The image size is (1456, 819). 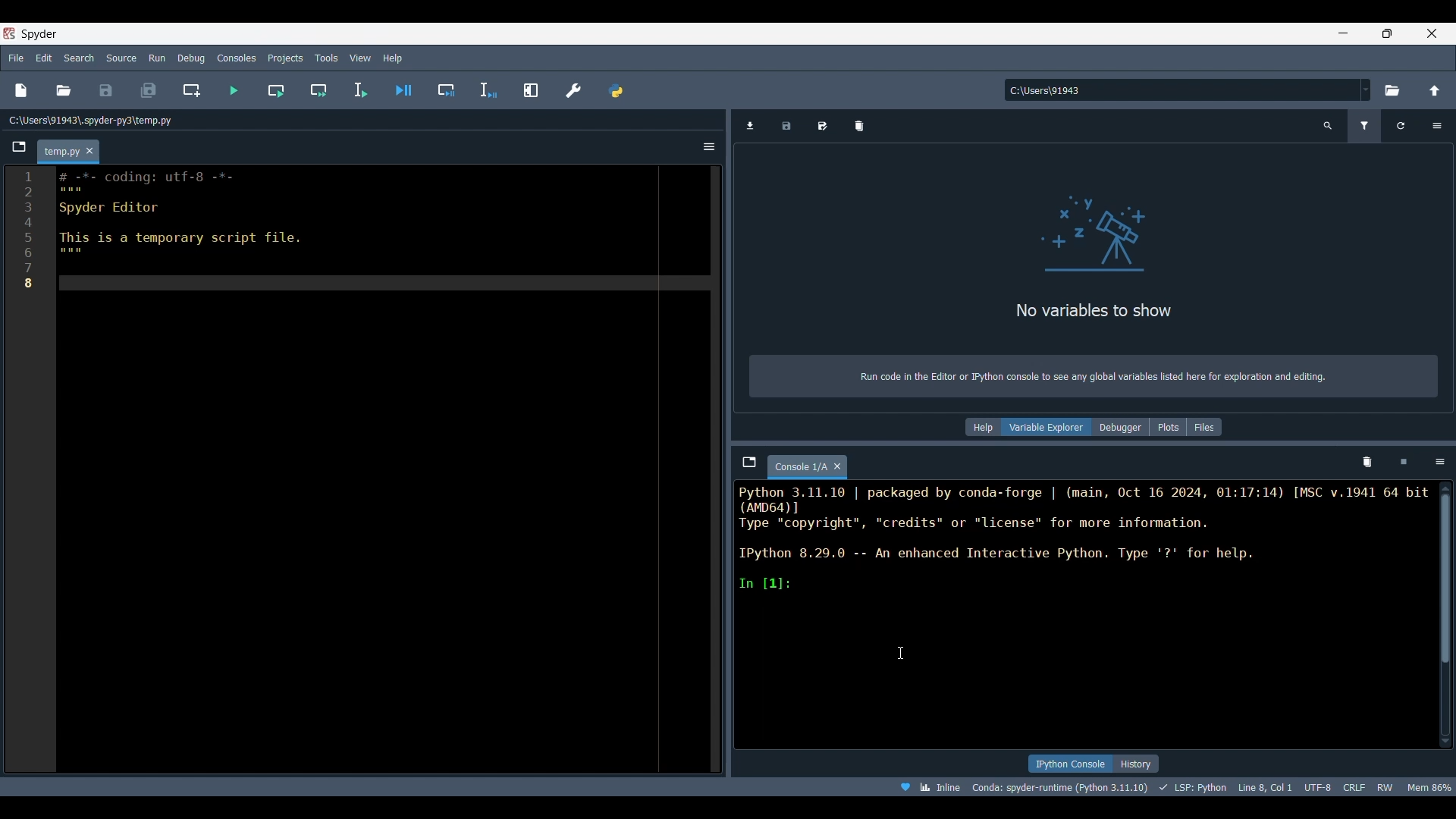 What do you see at coordinates (392, 58) in the screenshot?
I see `Help menu` at bounding box center [392, 58].